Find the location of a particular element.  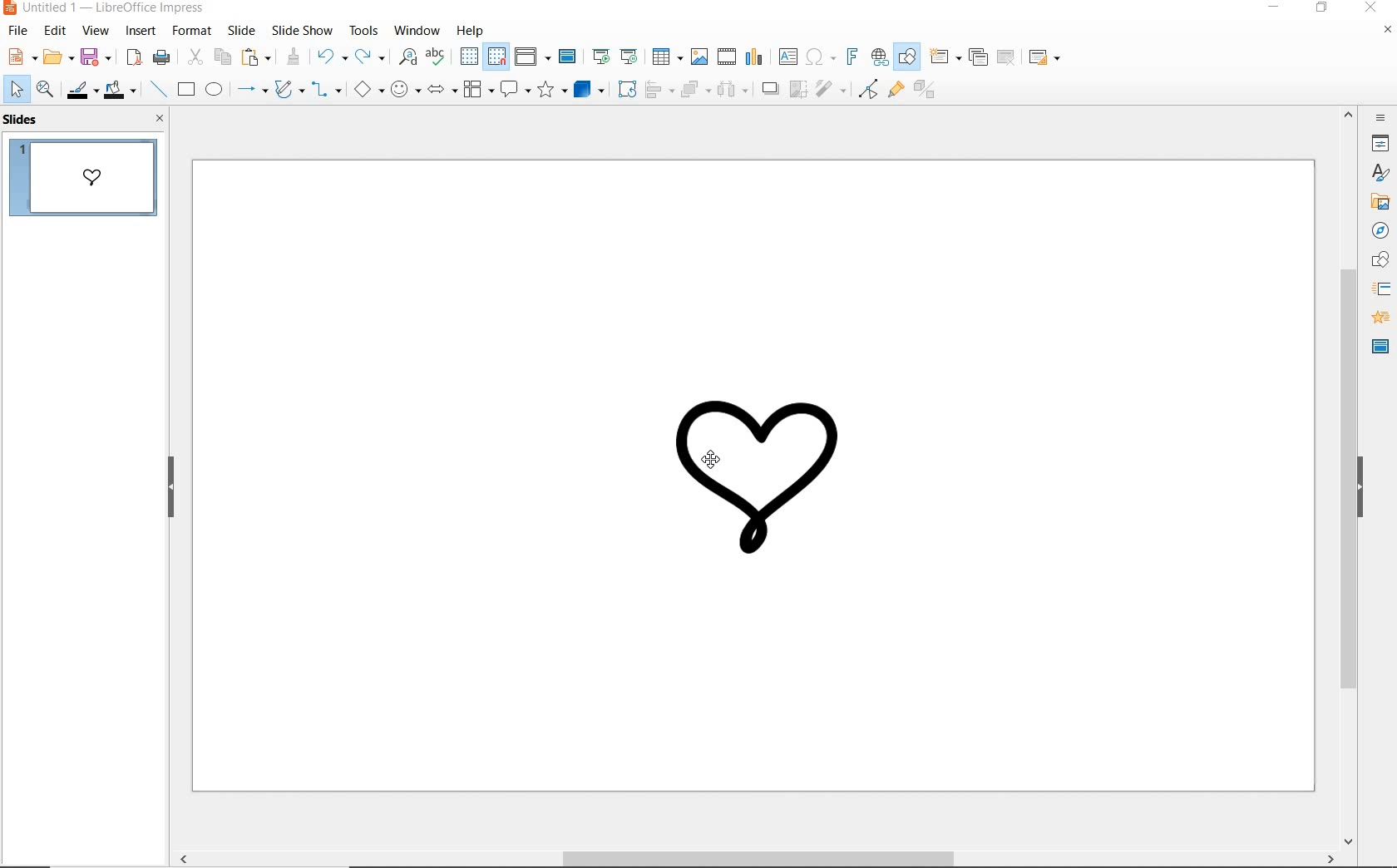

block arrows is located at coordinates (441, 89).